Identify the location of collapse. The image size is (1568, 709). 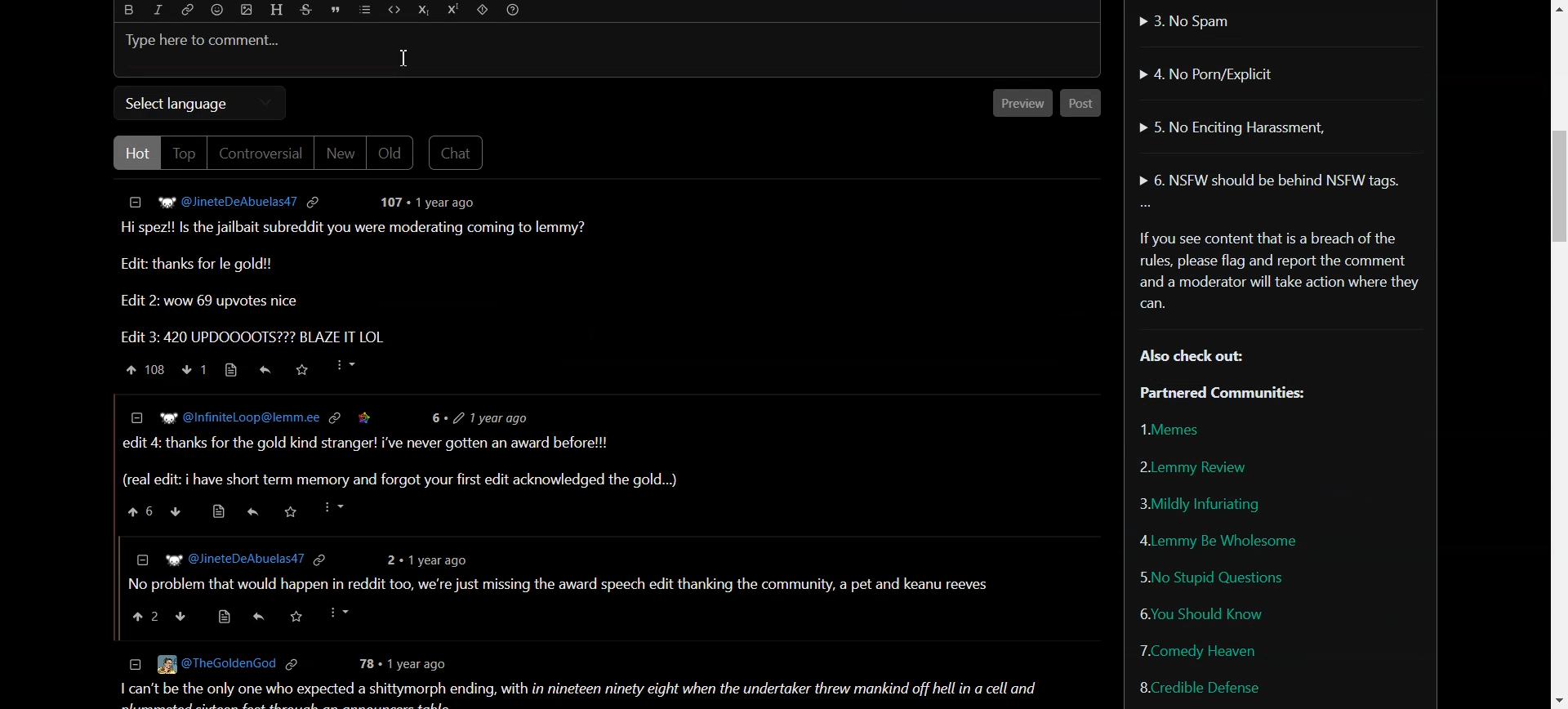
(135, 666).